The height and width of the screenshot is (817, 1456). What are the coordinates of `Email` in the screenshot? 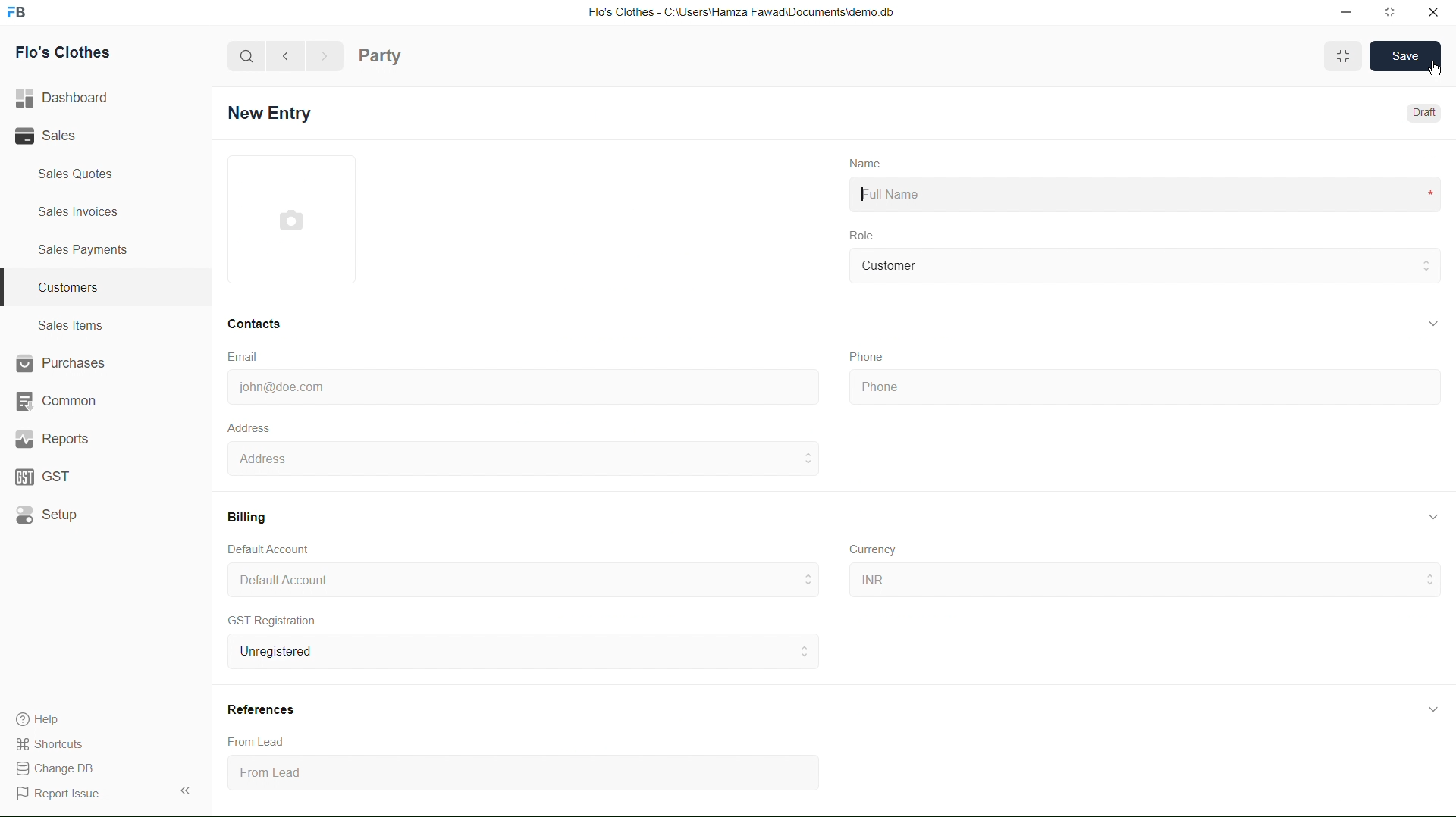 It's located at (244, 356).